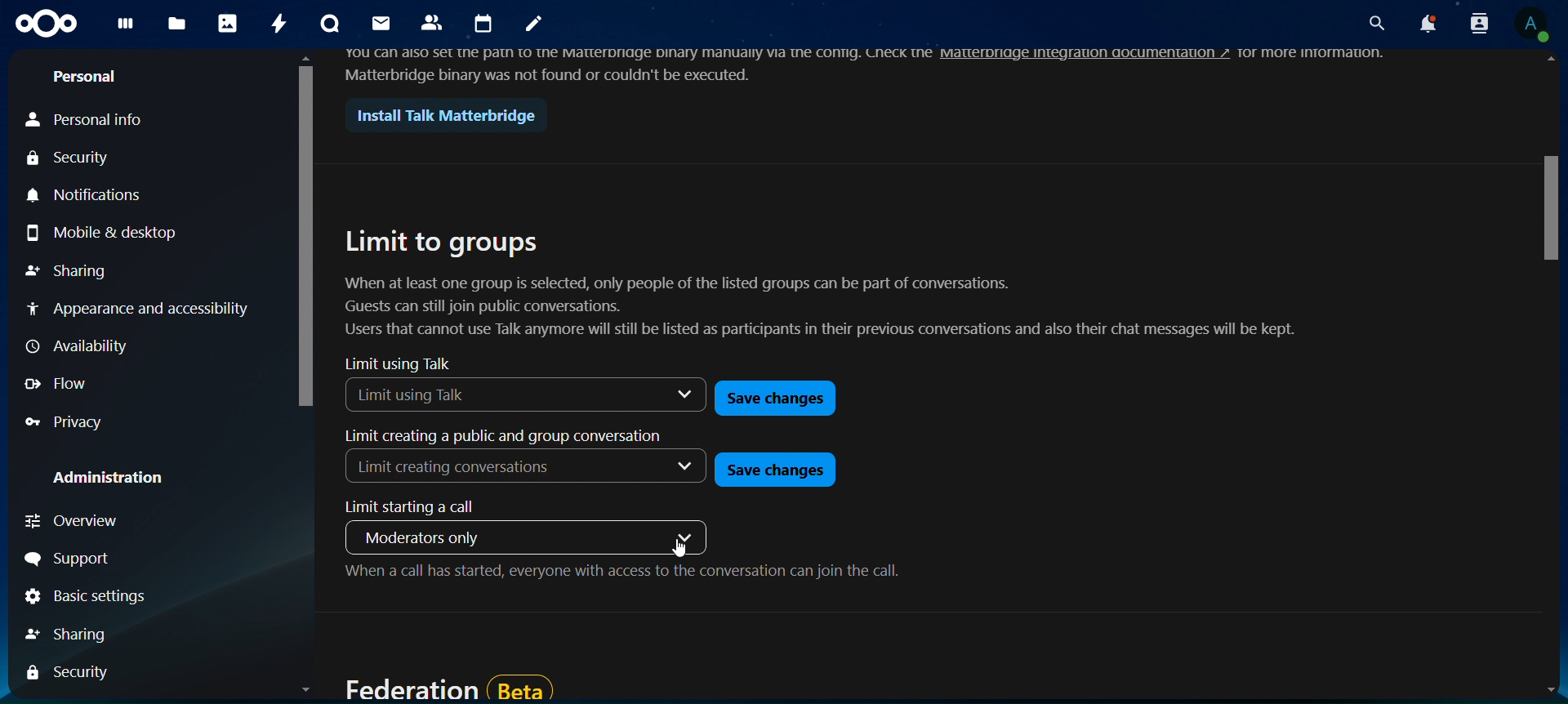 This screenshot has height=704, width=1568. What do you see at coordinates (114, 479) in the screenshot?
I see `administration` at bounding box center [114, 479].